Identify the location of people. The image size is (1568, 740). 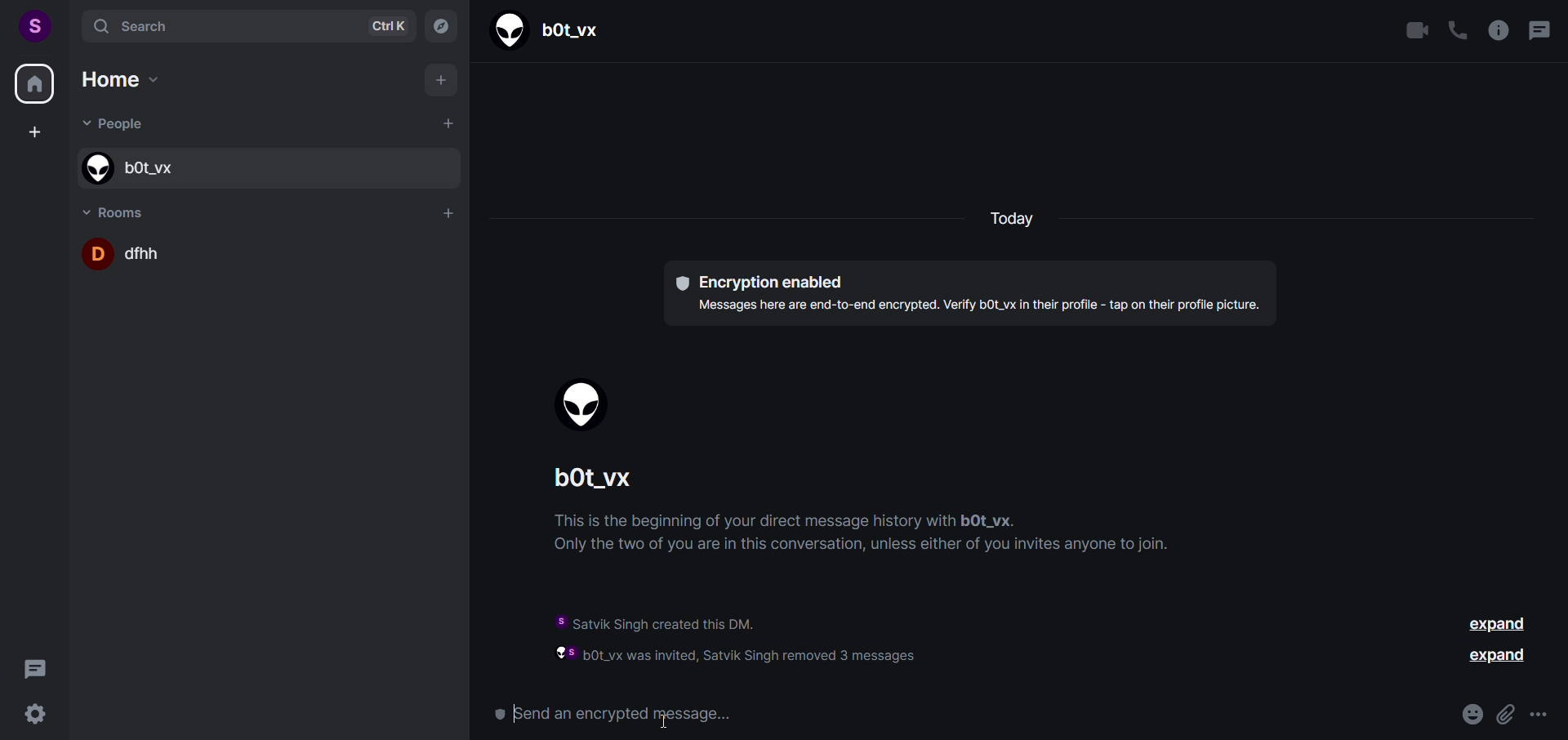
(119, 126).